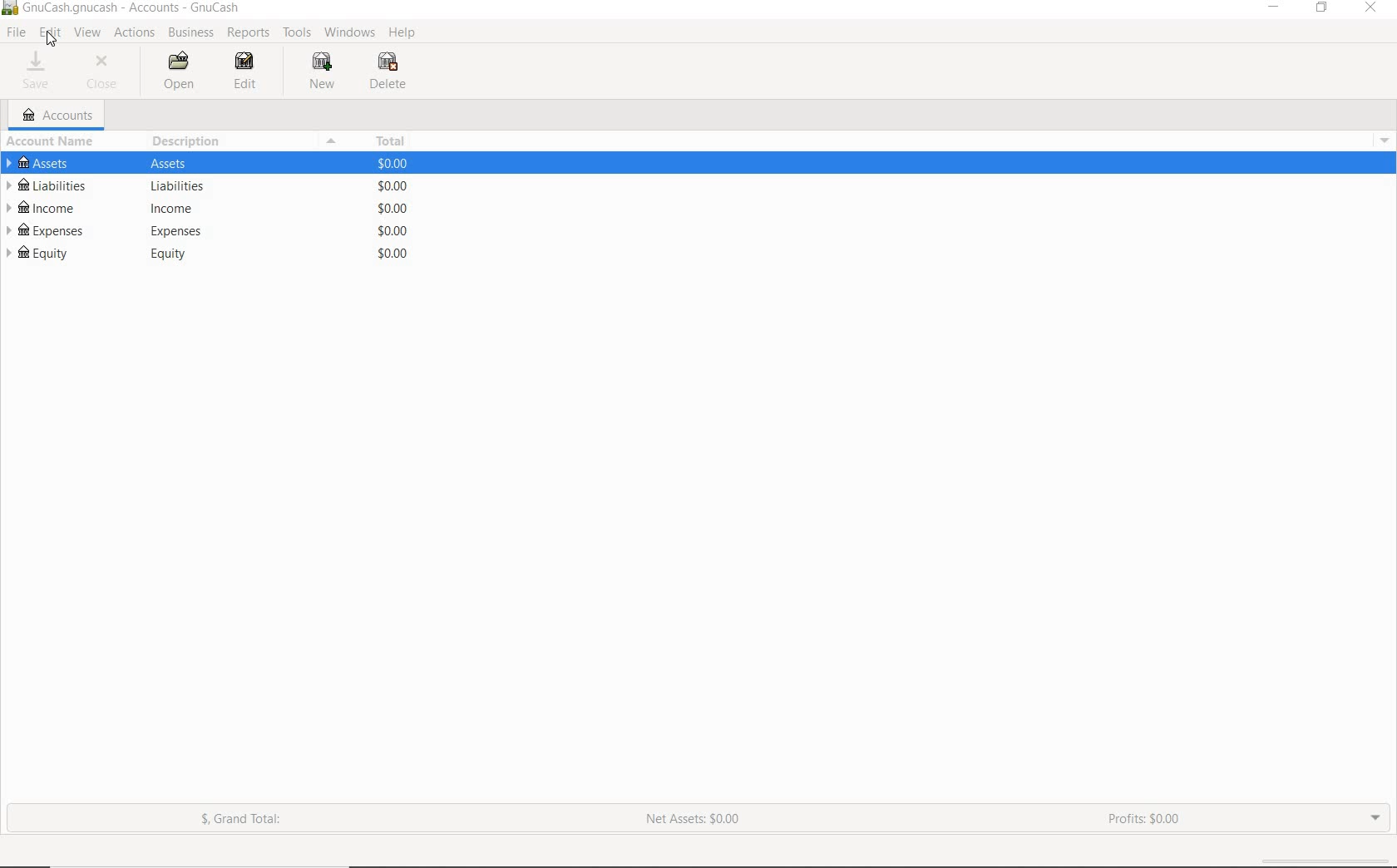 The width and height of the screenshot is (1397, 868). Describe the element at coordinates (1374, 816) in the screenshot. I see `EXPAND` at that location.